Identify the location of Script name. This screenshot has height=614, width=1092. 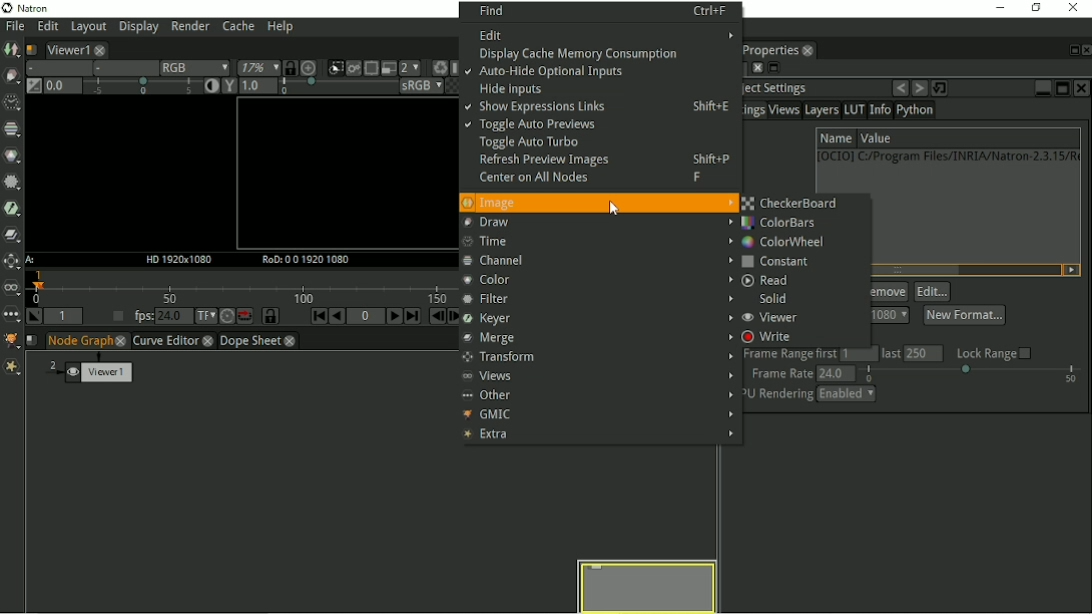
(31, 48).